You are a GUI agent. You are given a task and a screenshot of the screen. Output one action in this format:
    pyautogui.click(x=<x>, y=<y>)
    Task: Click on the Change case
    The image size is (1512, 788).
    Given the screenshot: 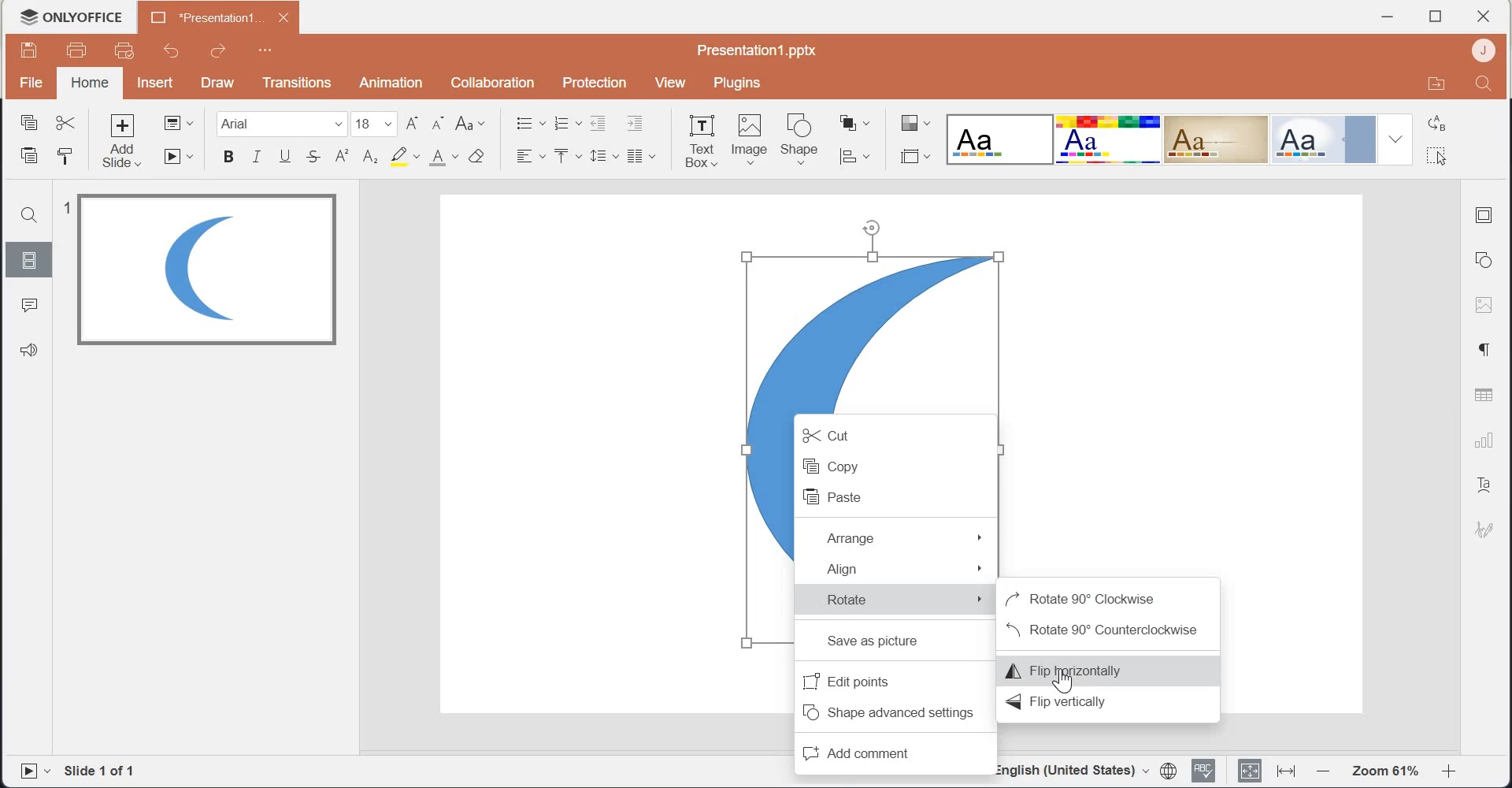 What is the action you would take?
    pyautogui.click(x=470, y=124)
    